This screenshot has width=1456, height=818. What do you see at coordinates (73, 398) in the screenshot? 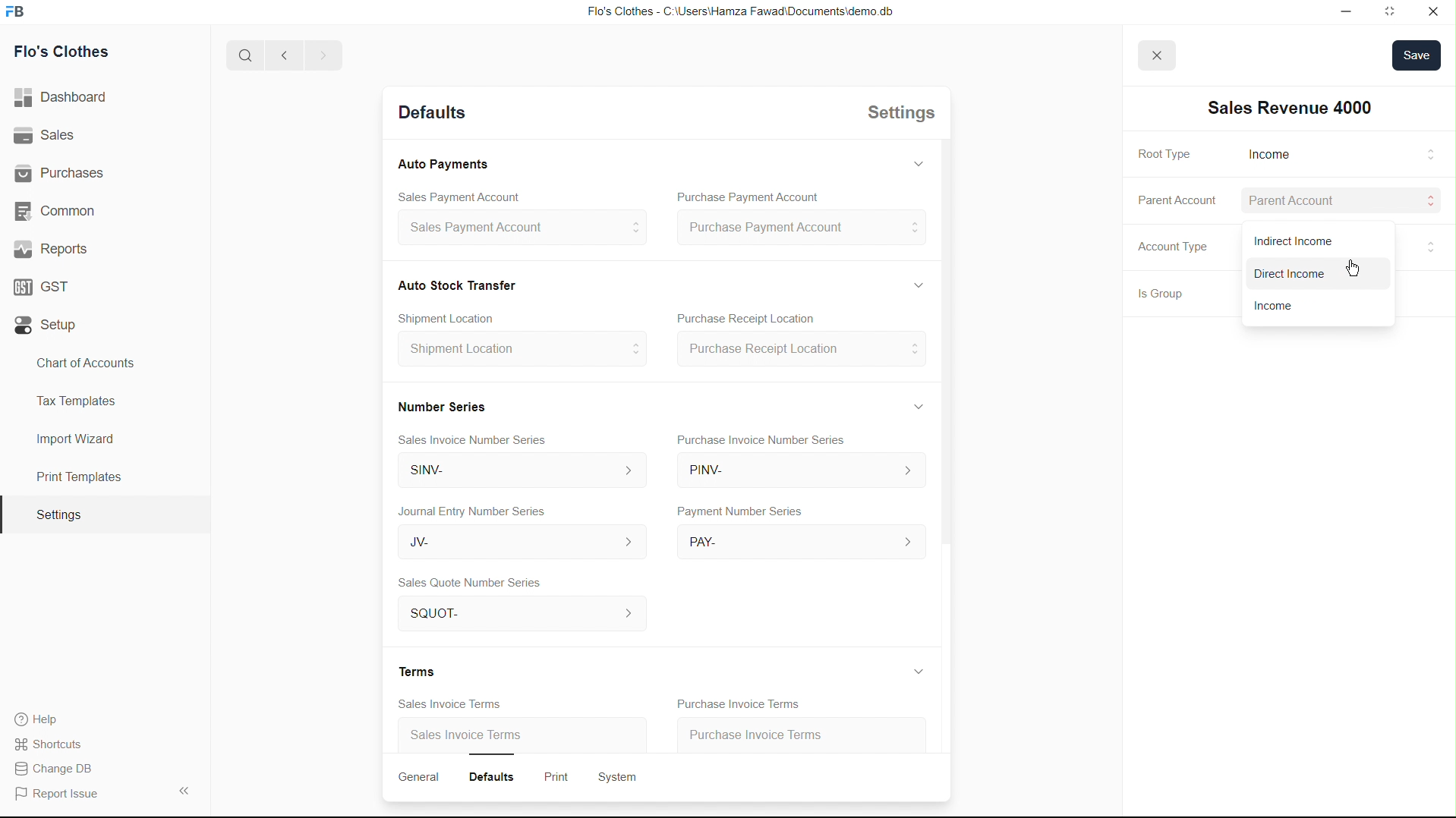
I see `Tax Templates` at bounding box center [73, 398].